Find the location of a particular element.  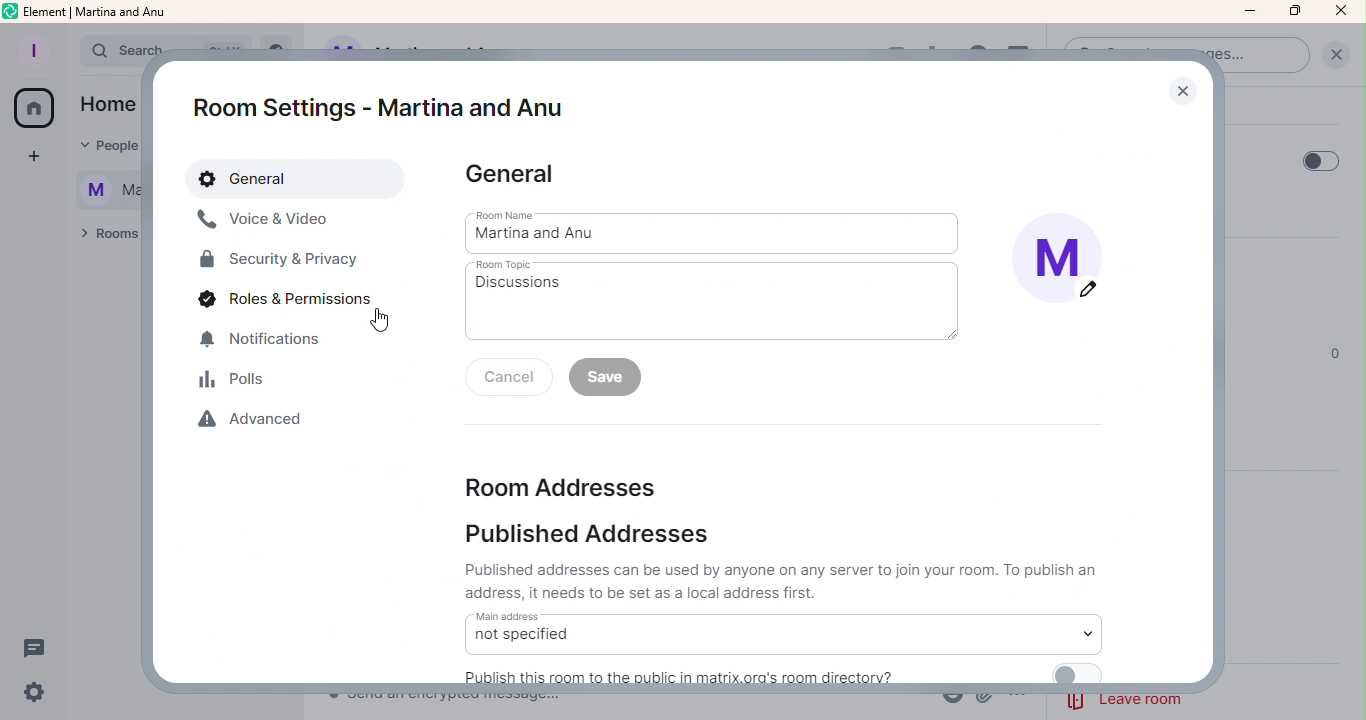

Toggle is located at coordinates (1320, 159).